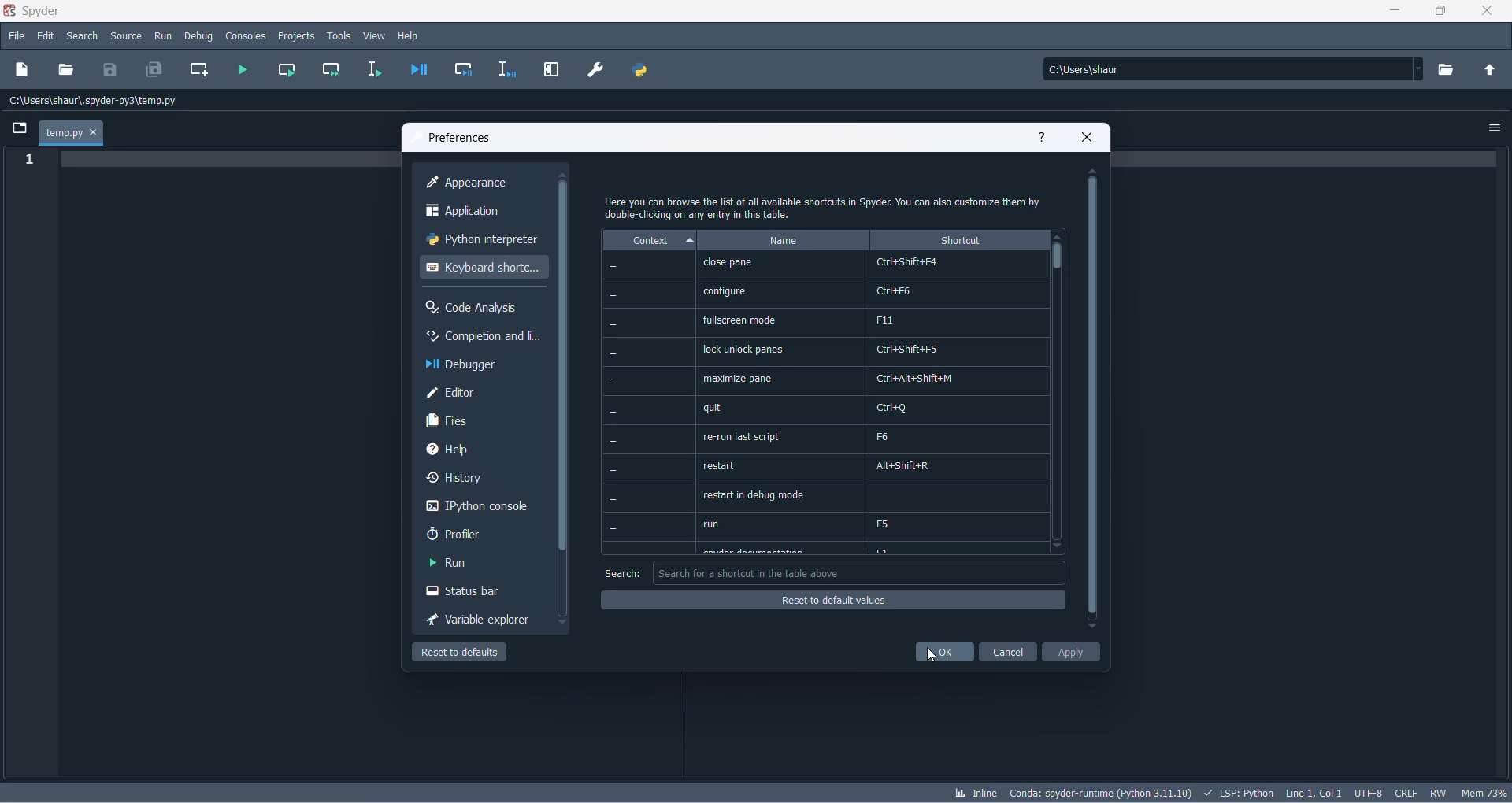  Describe the element at coordinates (561, 623) in the screenshot. I see `move down` at that location.